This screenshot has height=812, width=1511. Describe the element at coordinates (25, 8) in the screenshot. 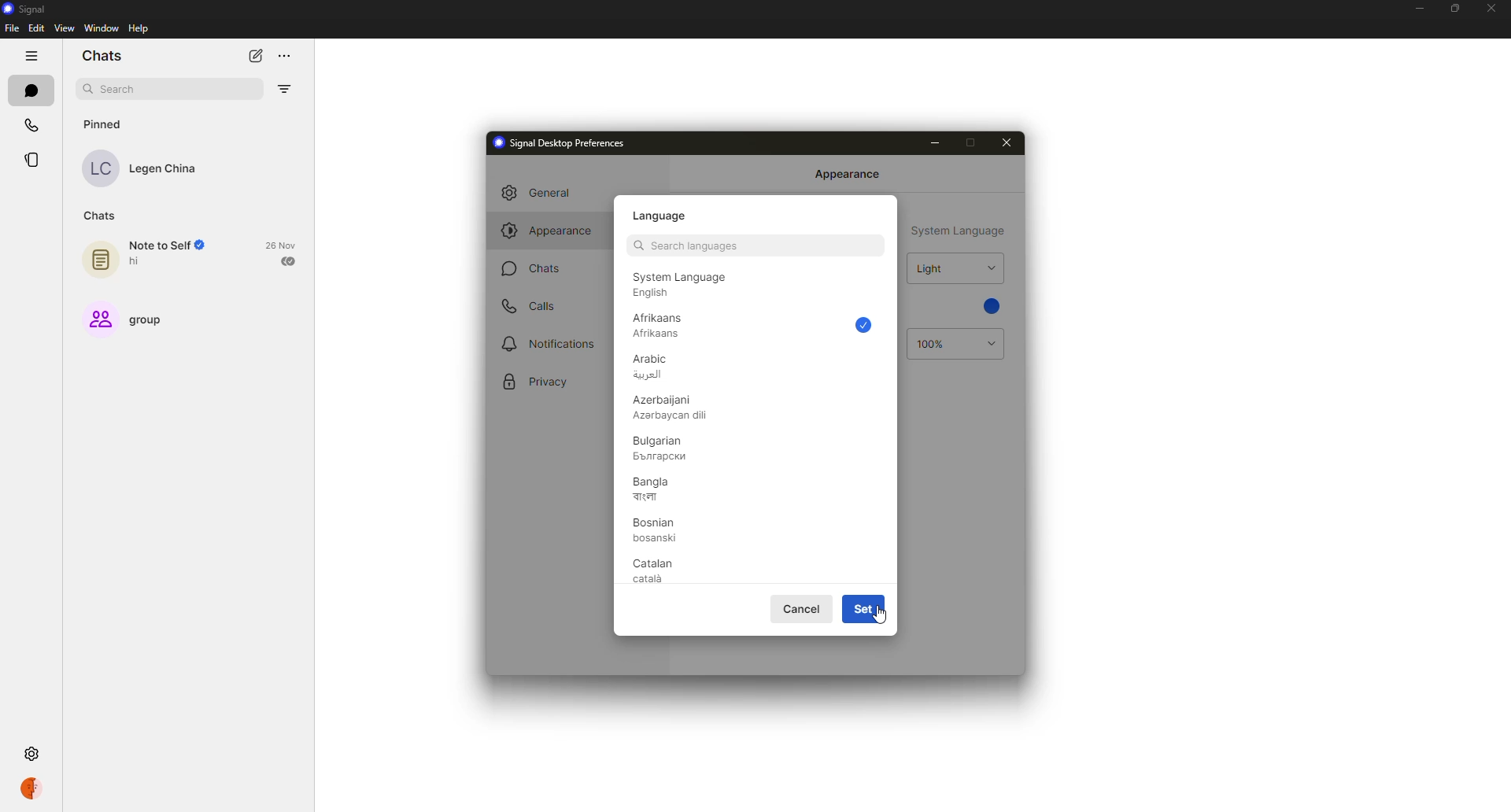

I see `signal` at that location.